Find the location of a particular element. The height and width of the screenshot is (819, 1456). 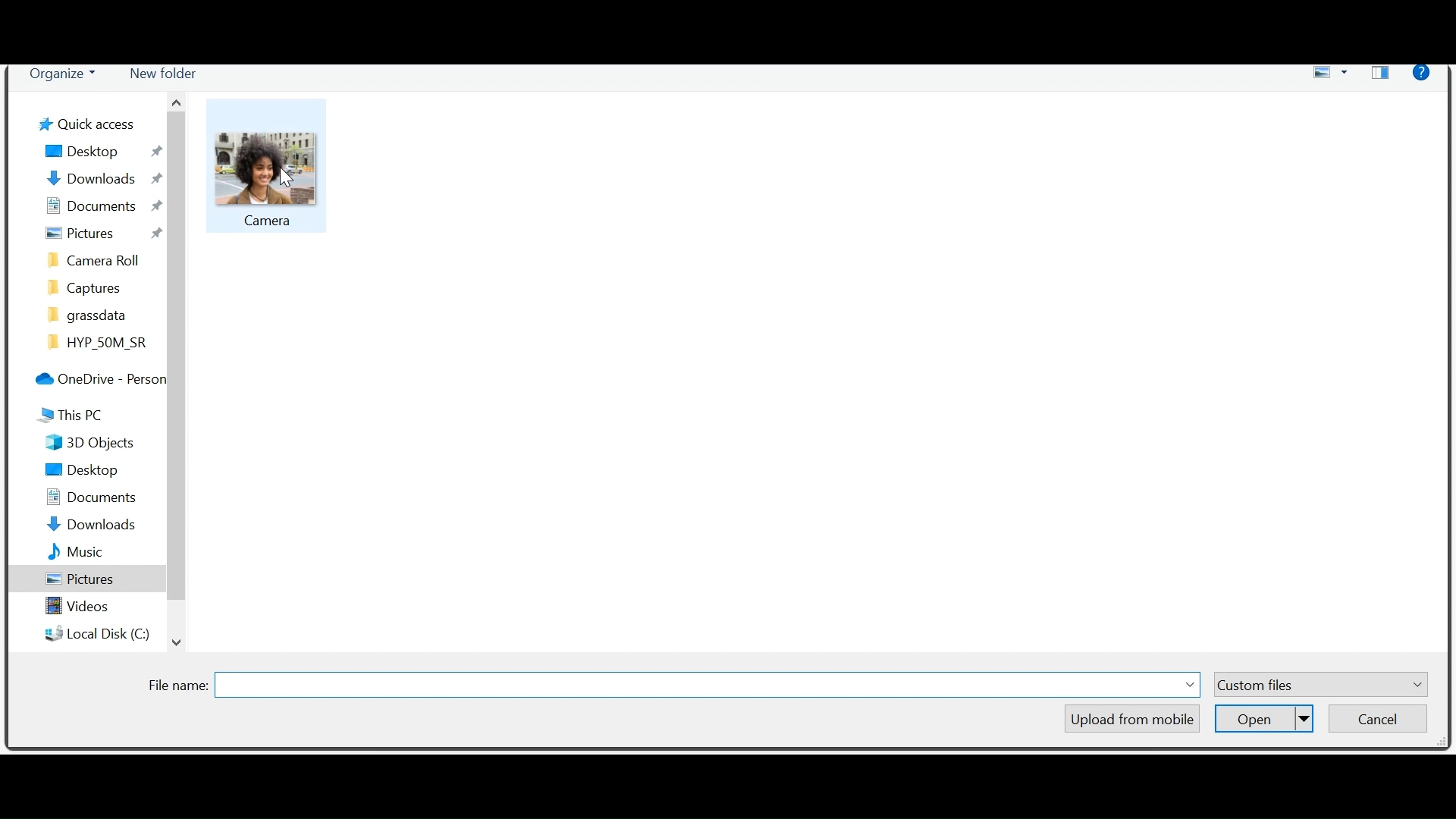

Music is located at coordinates (80, 551).